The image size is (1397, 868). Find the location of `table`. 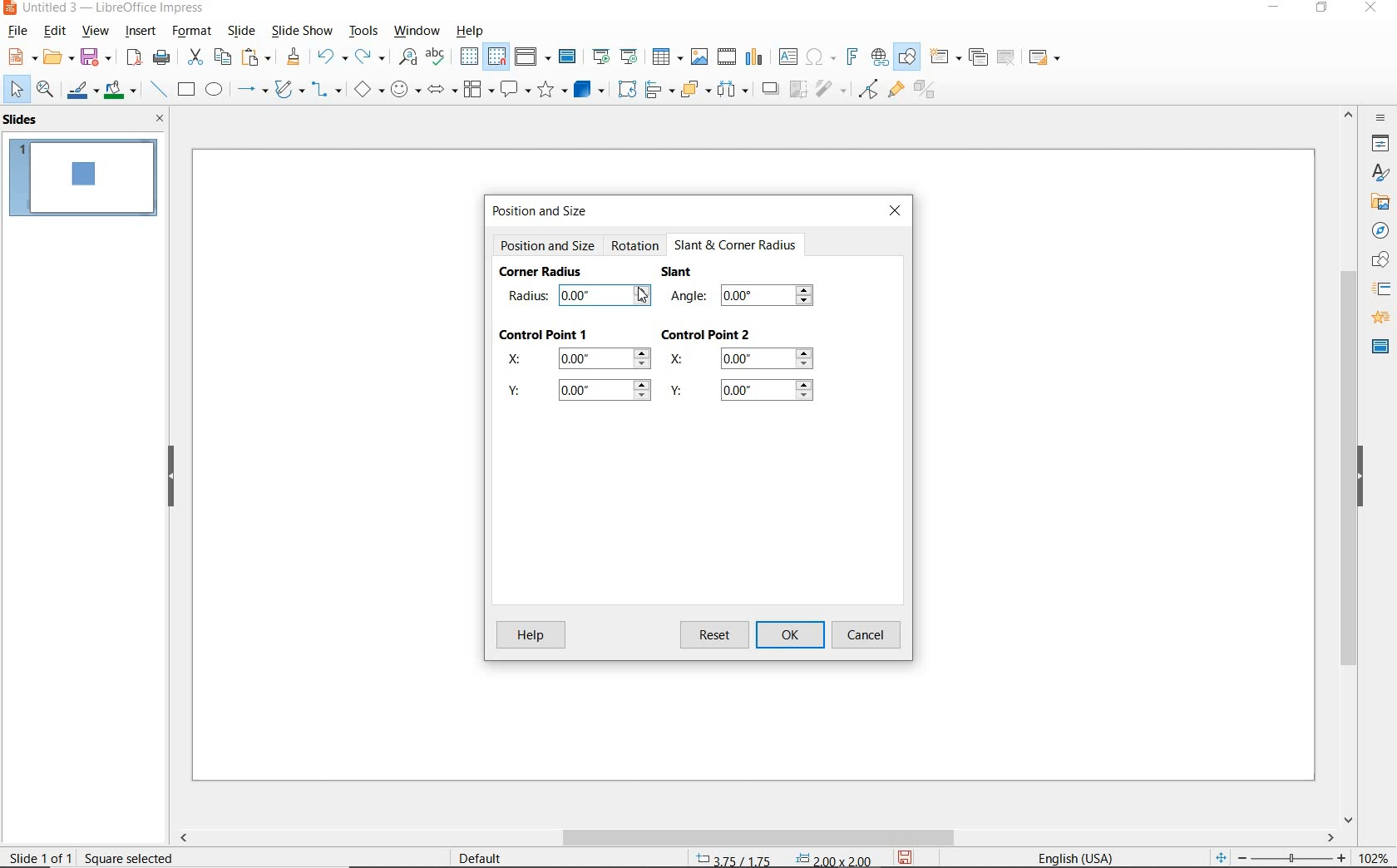

table is located at coordinates (666, 57).